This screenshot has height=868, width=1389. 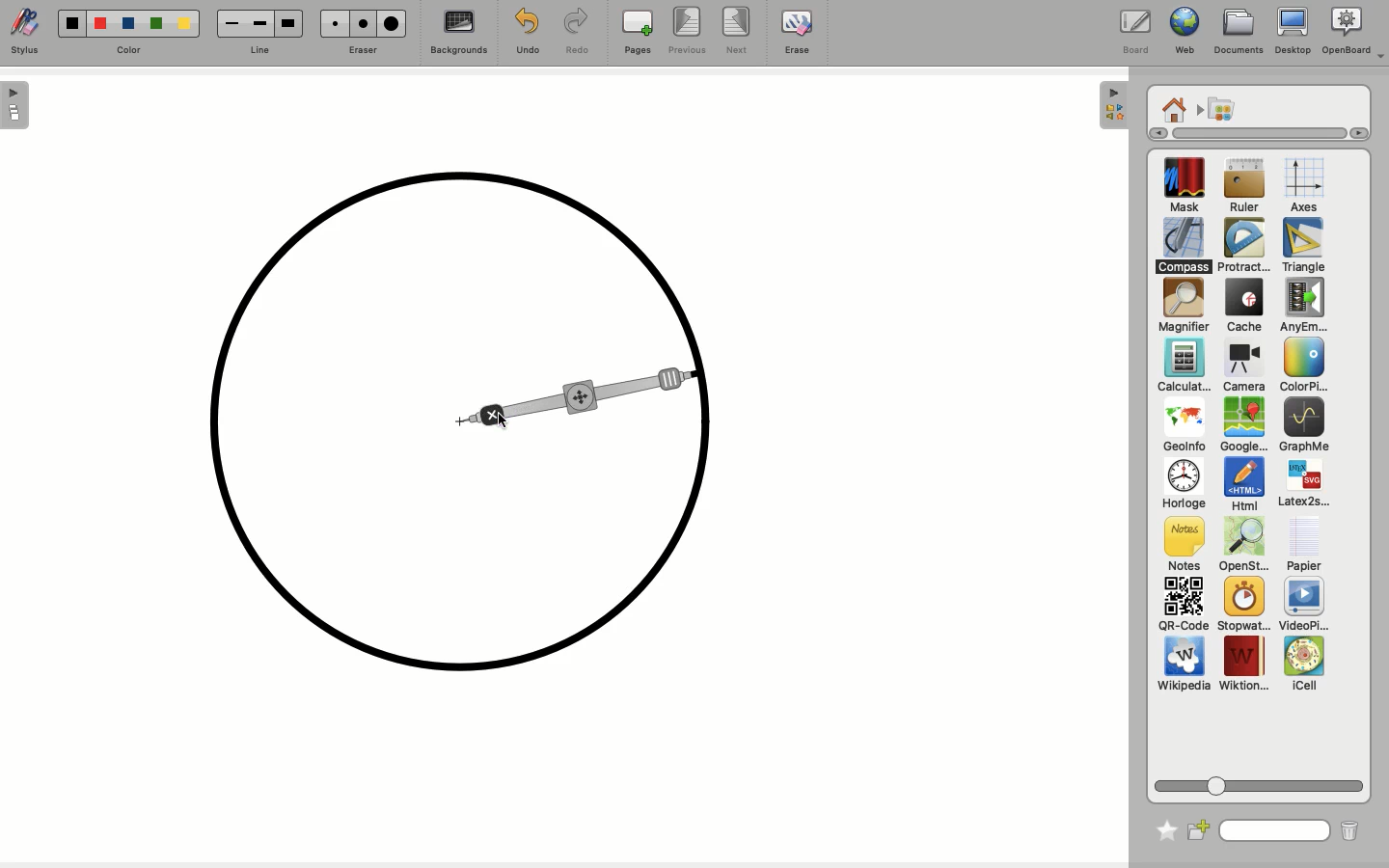 What do you see at coordinates (258, 50) in the screenshot?
I see `line` at bounding box center [258, 50].